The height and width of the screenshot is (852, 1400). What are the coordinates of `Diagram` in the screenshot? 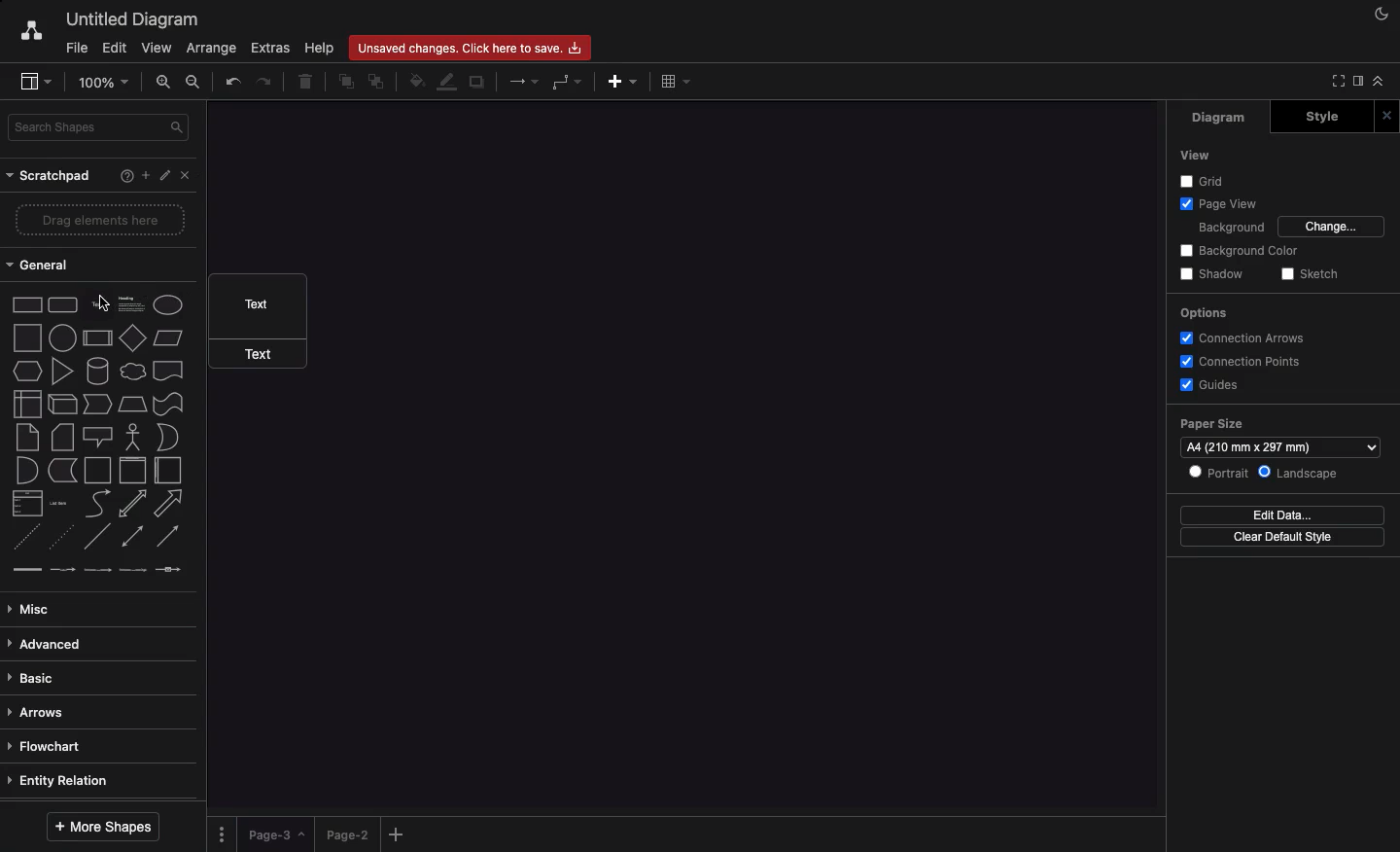 It's located at (1211, 119).